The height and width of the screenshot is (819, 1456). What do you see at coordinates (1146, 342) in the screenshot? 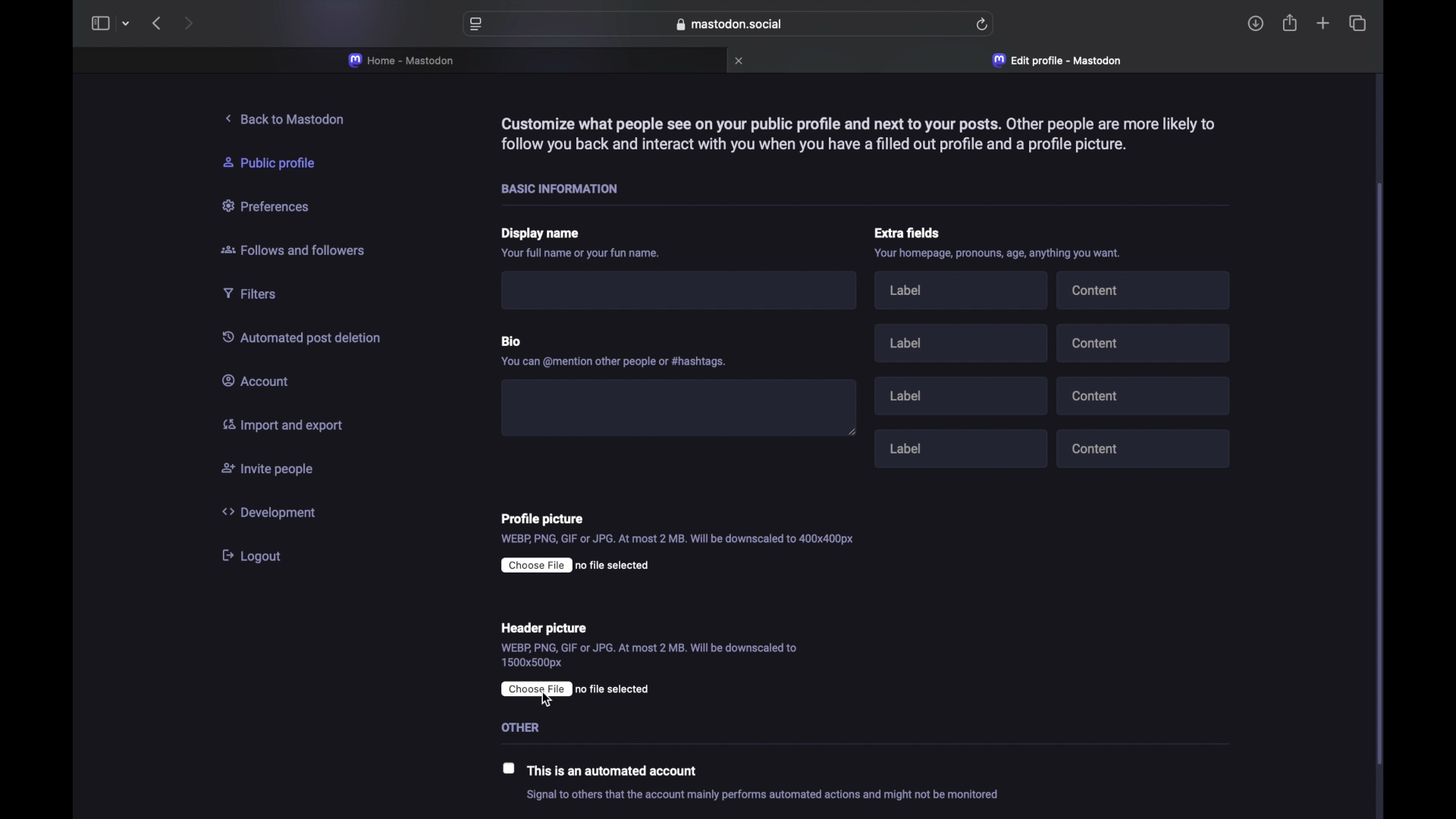
I see `content` at bounding box center [1146, 342].